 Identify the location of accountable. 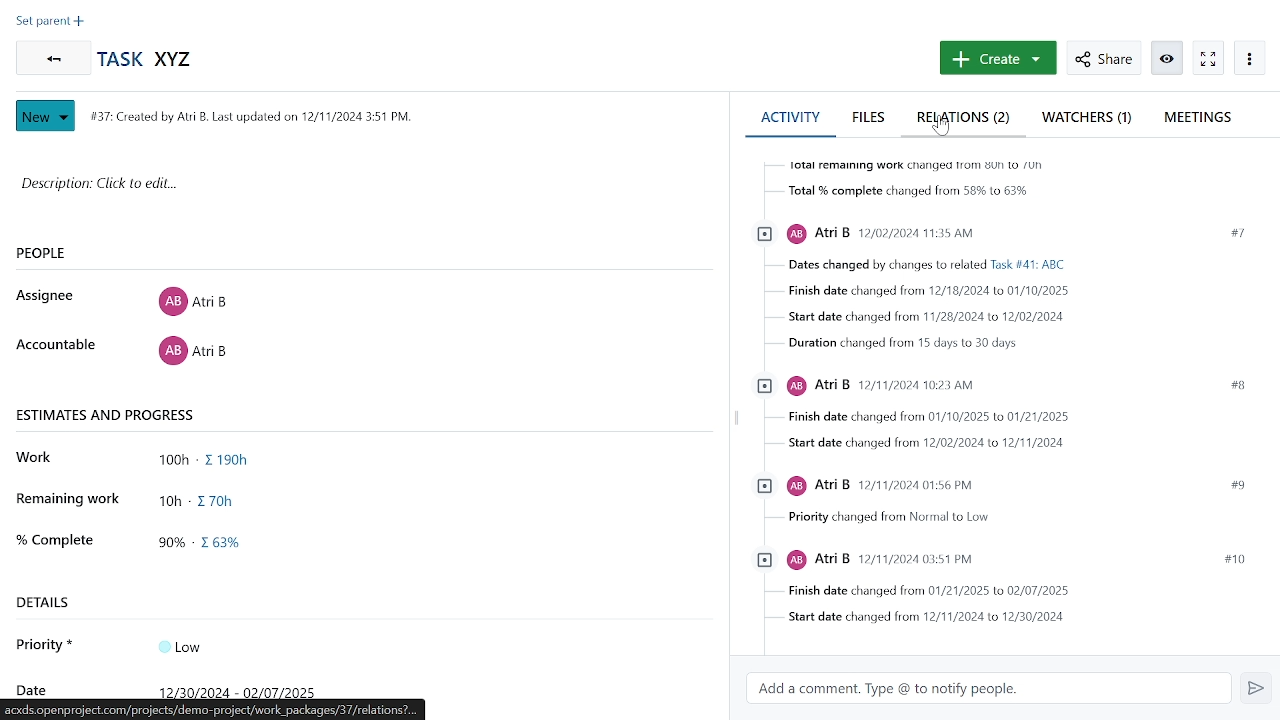
(55, 346).